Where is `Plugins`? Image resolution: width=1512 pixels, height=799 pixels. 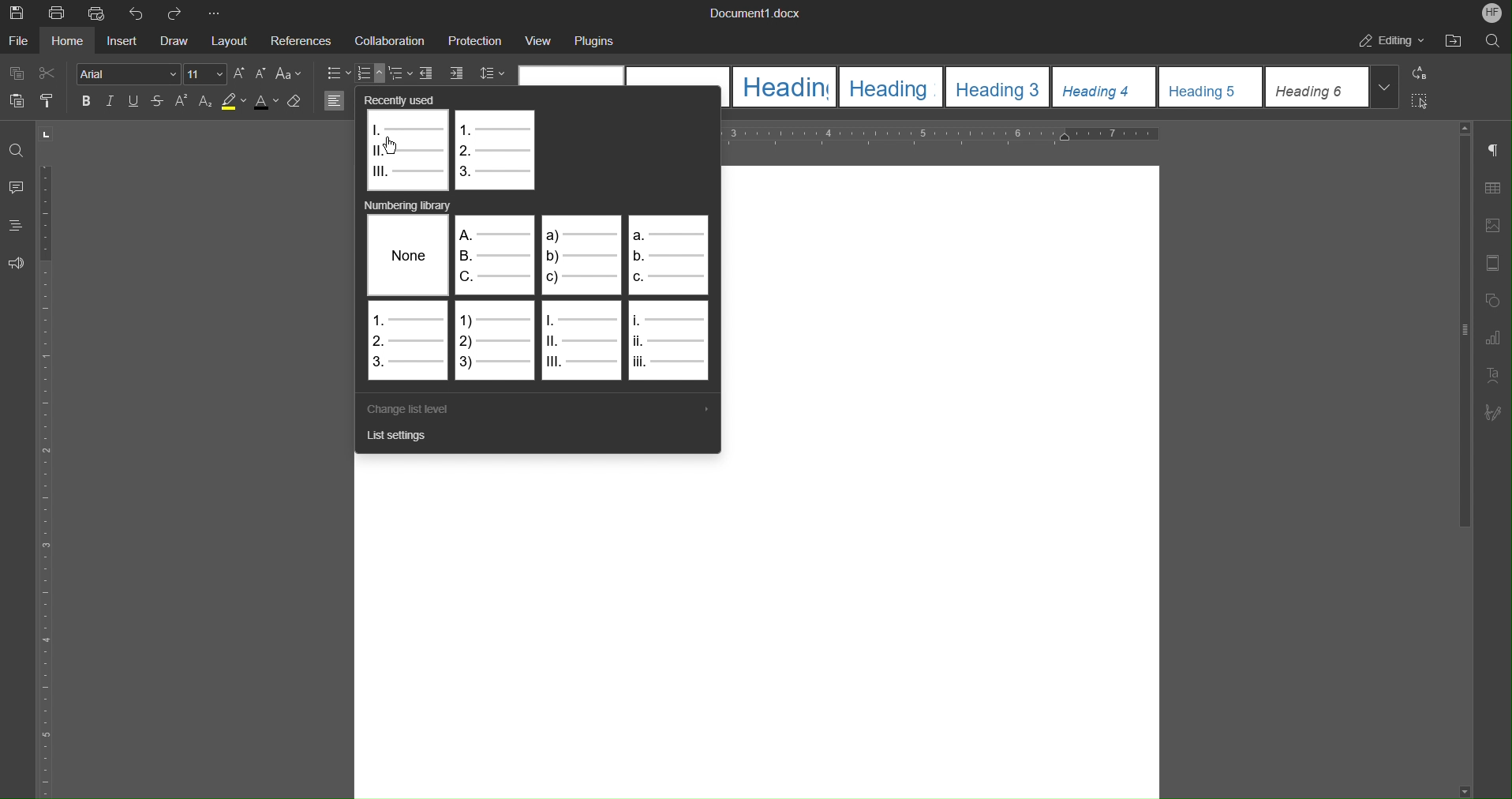 Plugins is located at coordinates (596, 41).